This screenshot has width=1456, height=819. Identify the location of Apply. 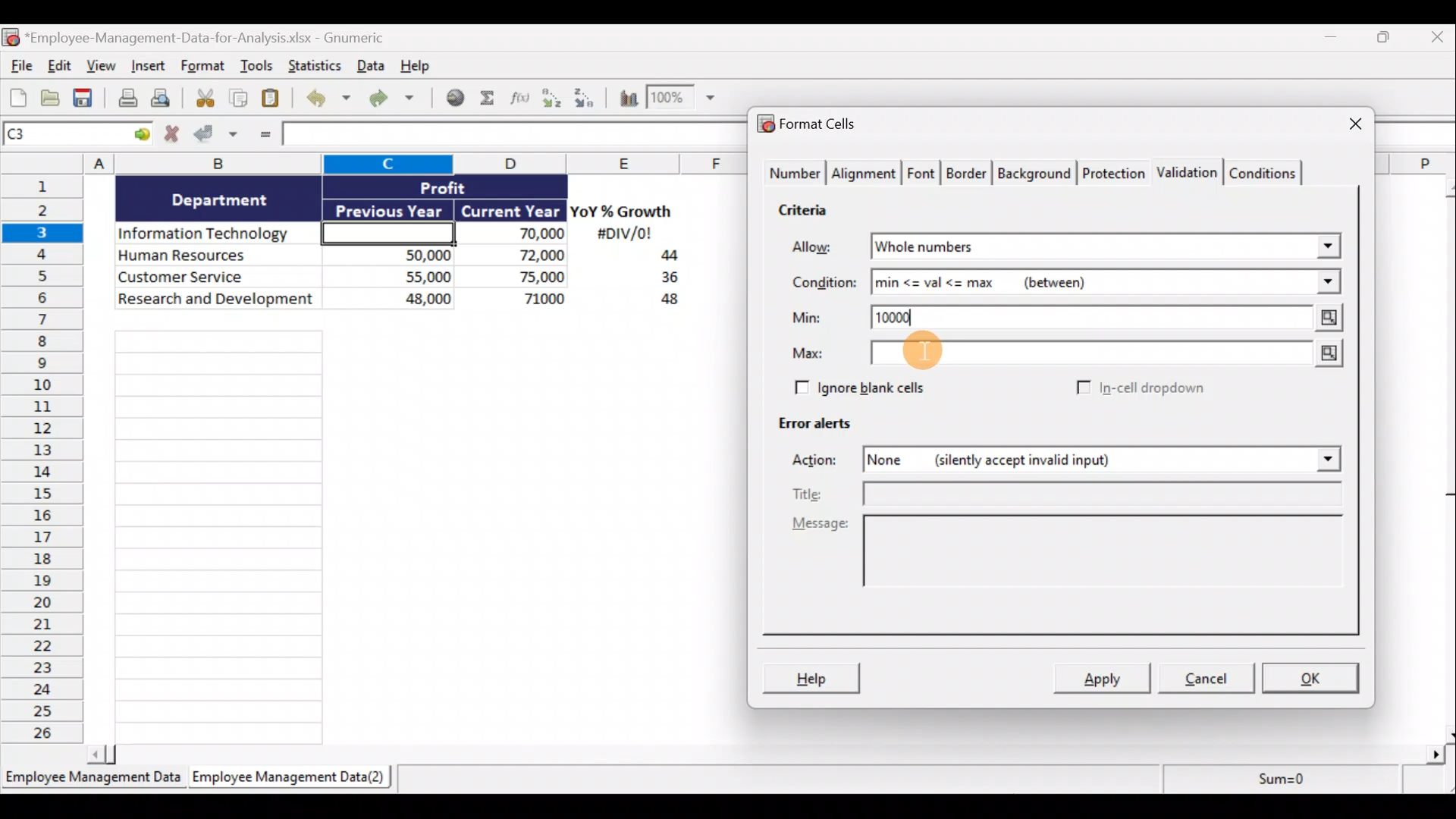
(1103, 679).